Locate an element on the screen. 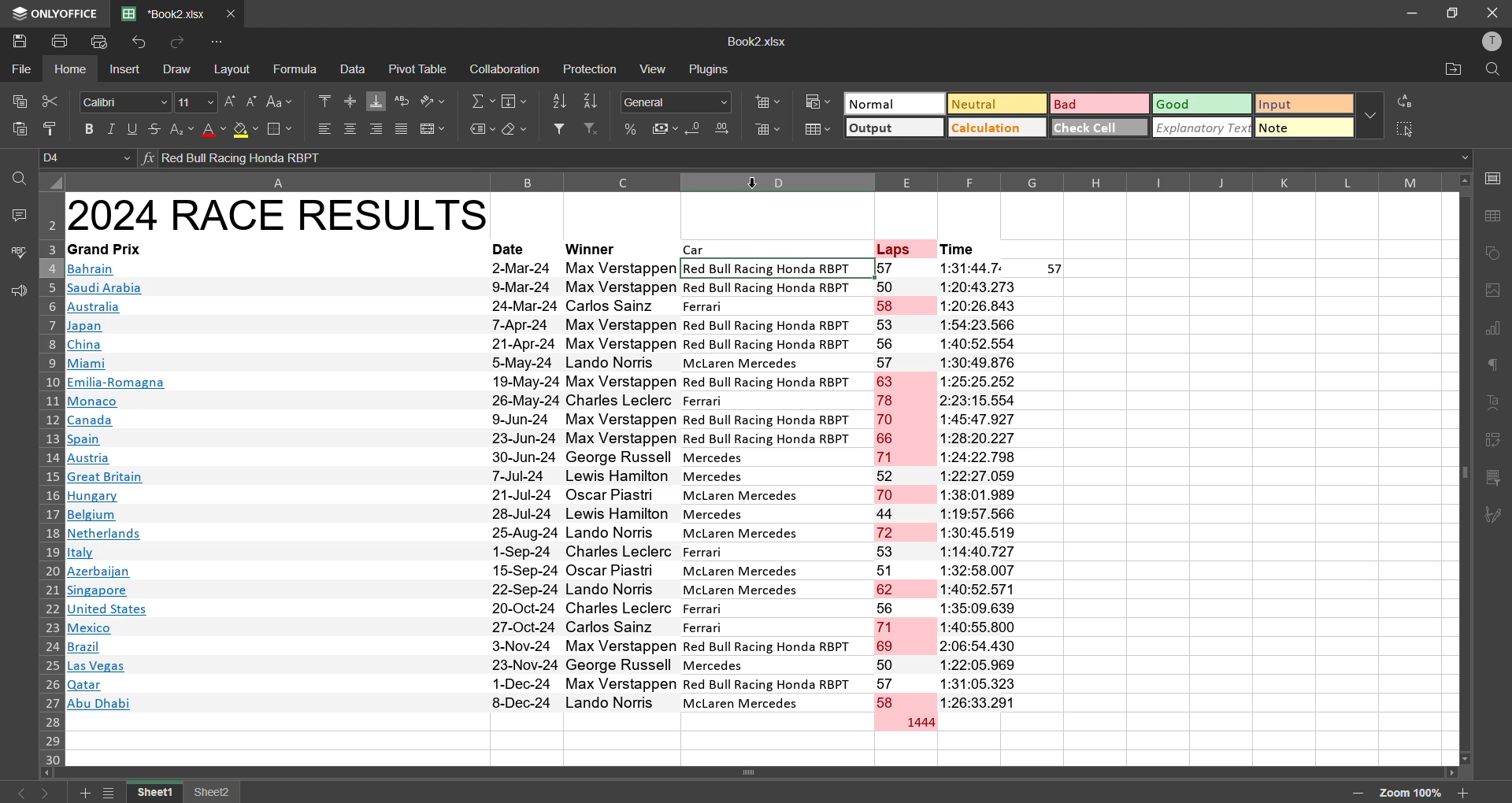 This screenshot has height=803, width=1512. draw is located at coordinates (175, 68).